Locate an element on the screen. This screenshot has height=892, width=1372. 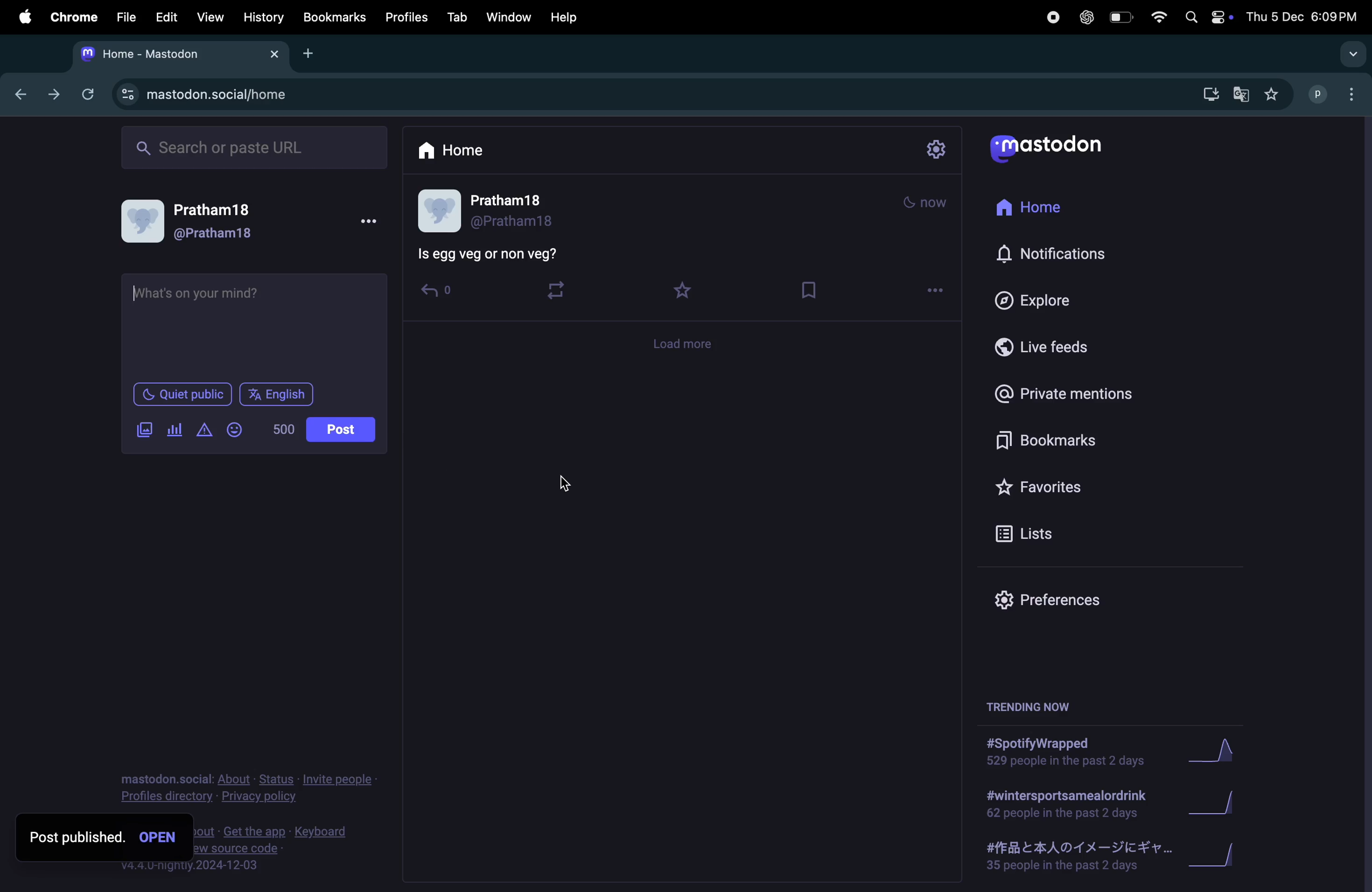
textbox is located at coordinates (253, 324).